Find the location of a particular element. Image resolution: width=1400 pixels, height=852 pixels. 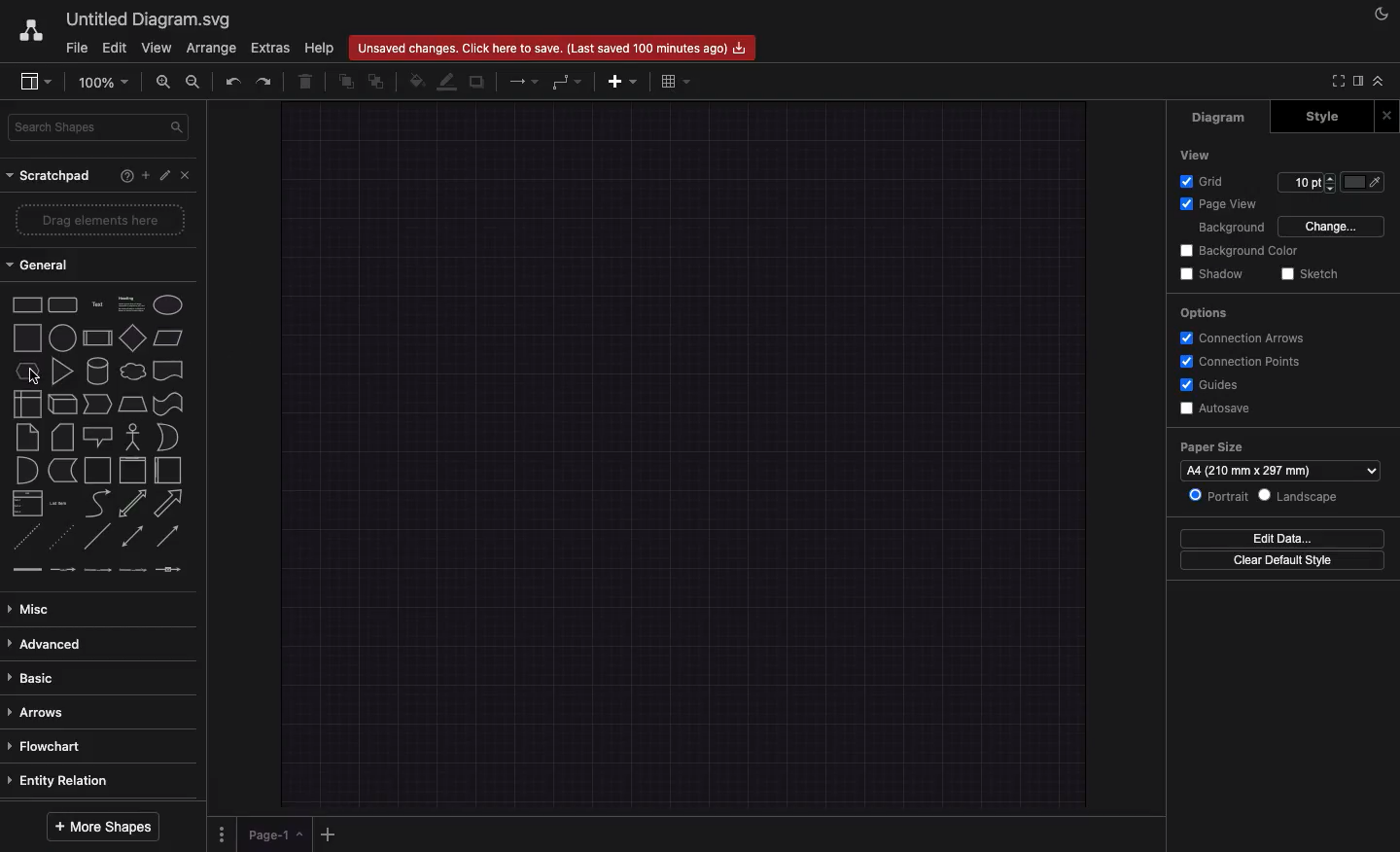

Sketch  is located at coordinates (1308, 273).